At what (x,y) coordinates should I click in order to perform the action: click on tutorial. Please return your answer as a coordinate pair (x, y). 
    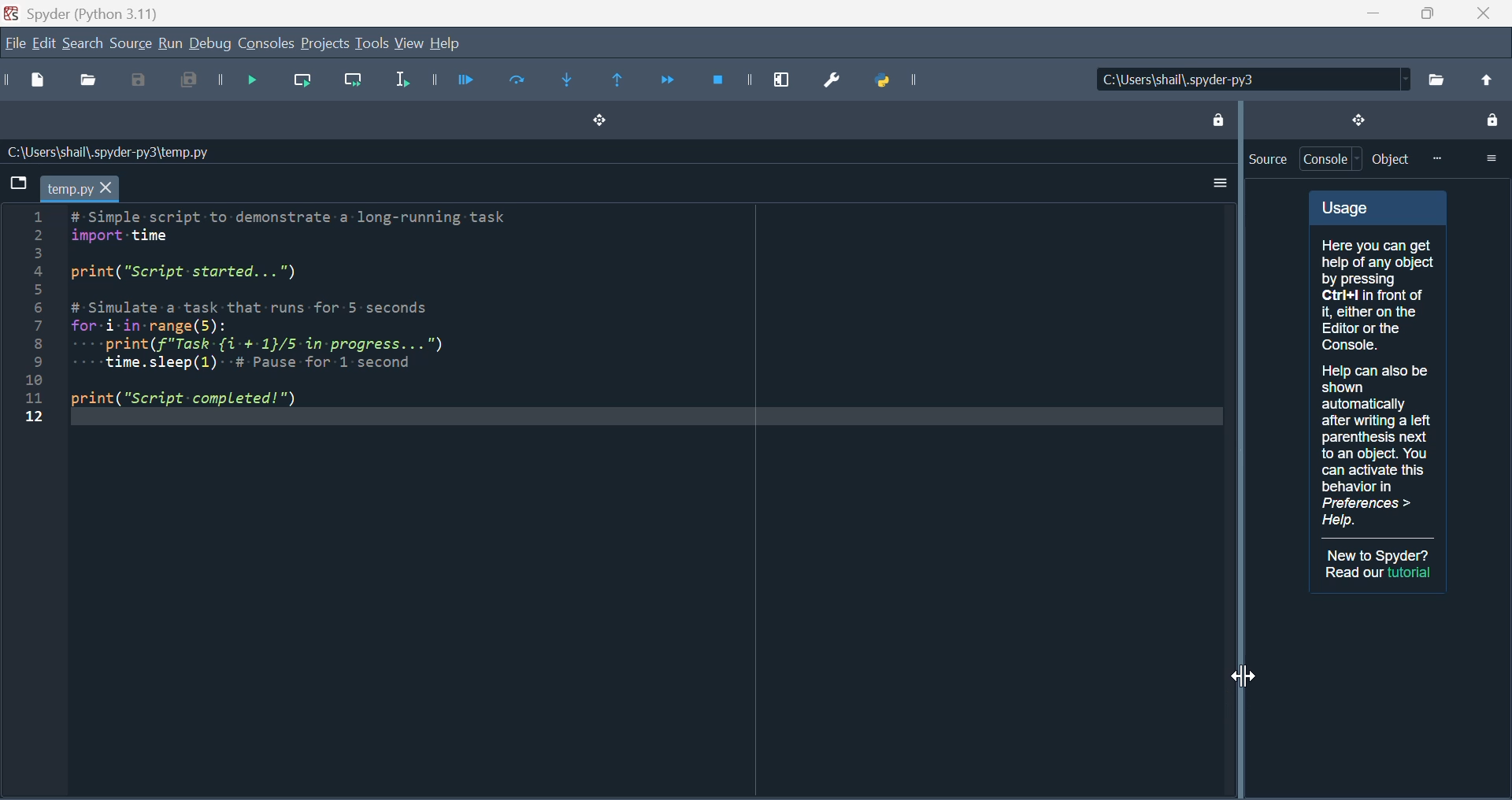
    Looking at the image, I should click on (1411, 572).